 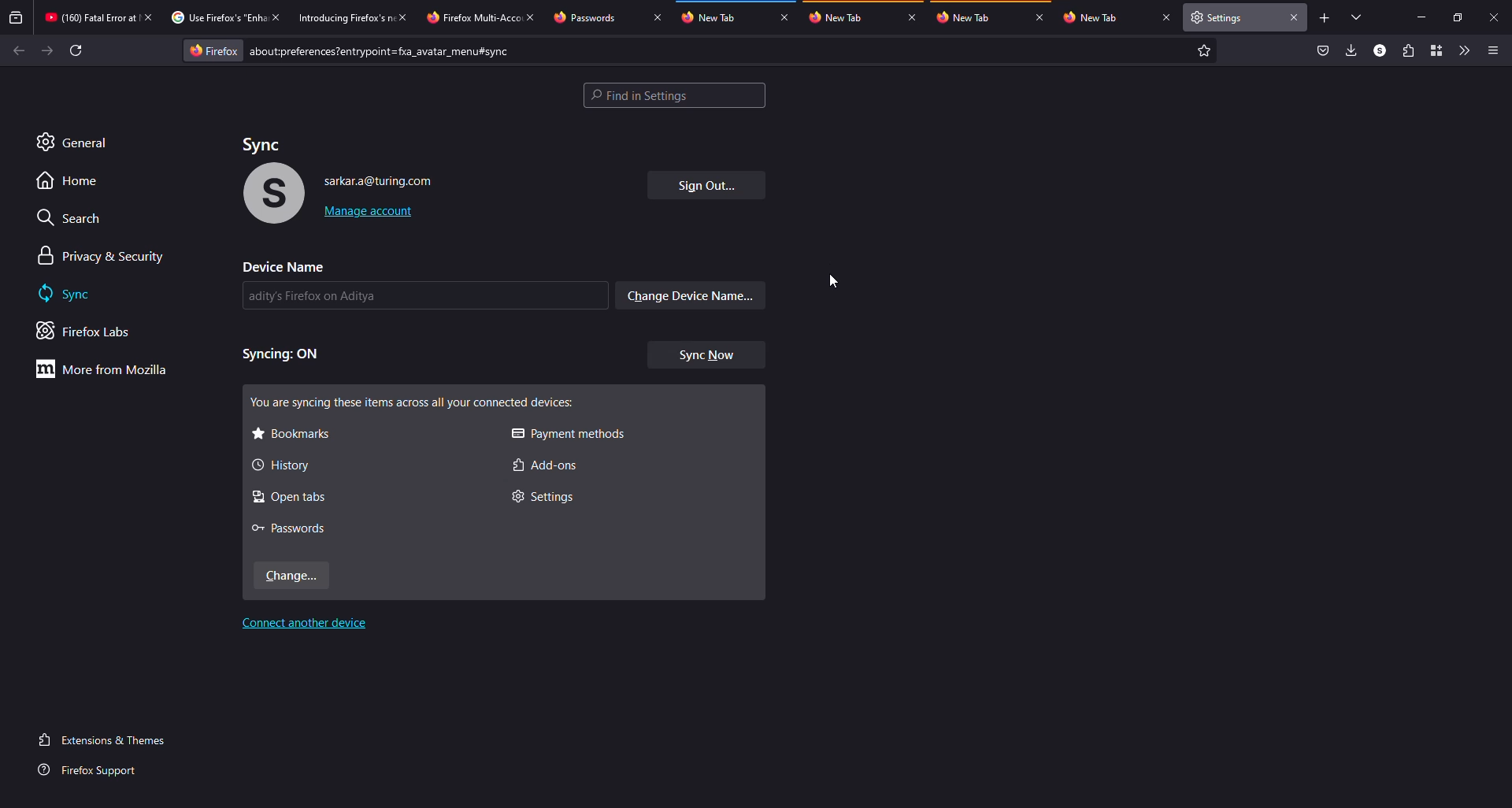 What do you see at coordinates (1407, 50) in the screenshot?
I see `extensions` at bounding box center [1407, 50].